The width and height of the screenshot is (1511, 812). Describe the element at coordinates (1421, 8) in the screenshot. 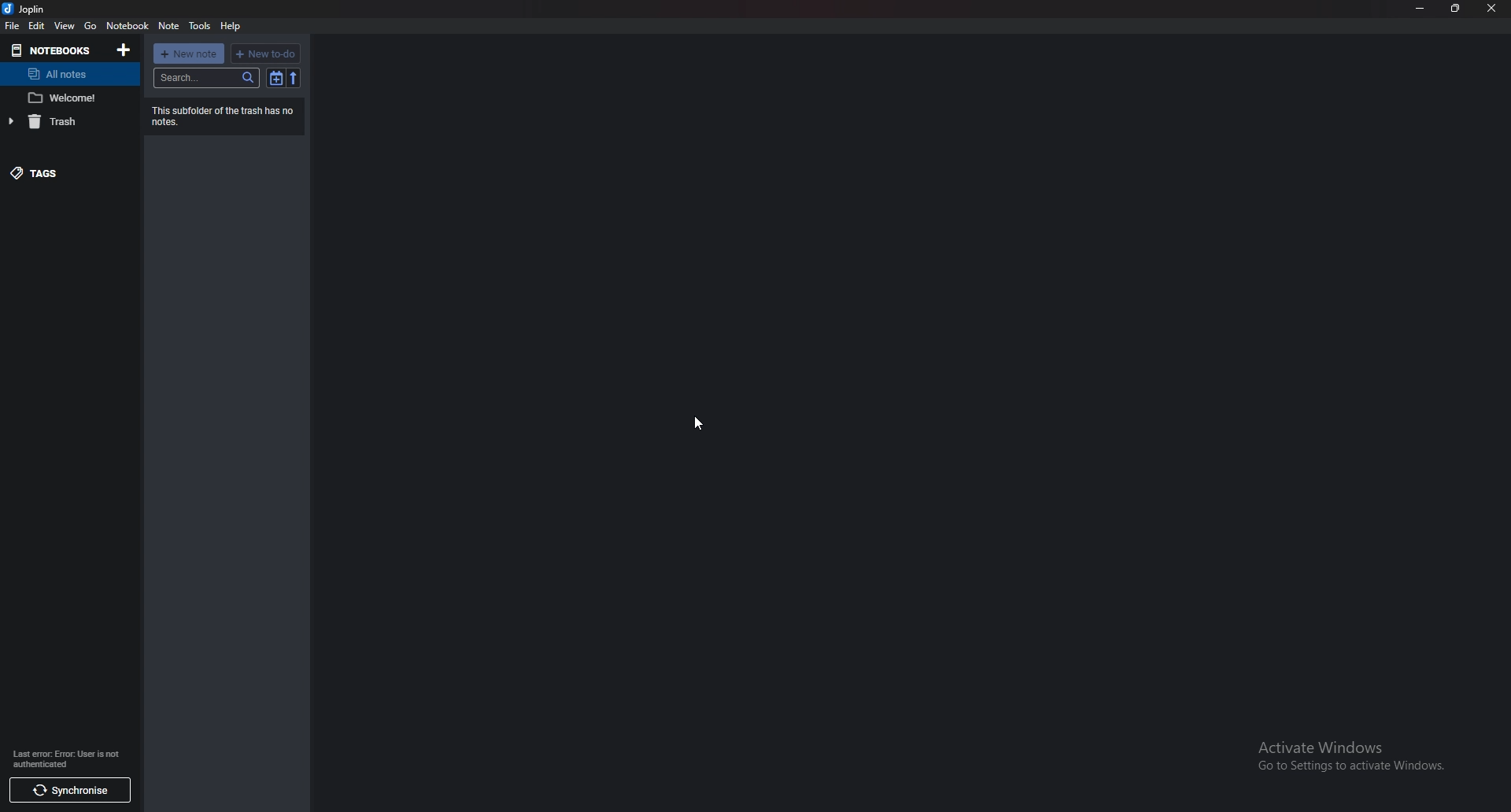

I see `minimize` at that location.